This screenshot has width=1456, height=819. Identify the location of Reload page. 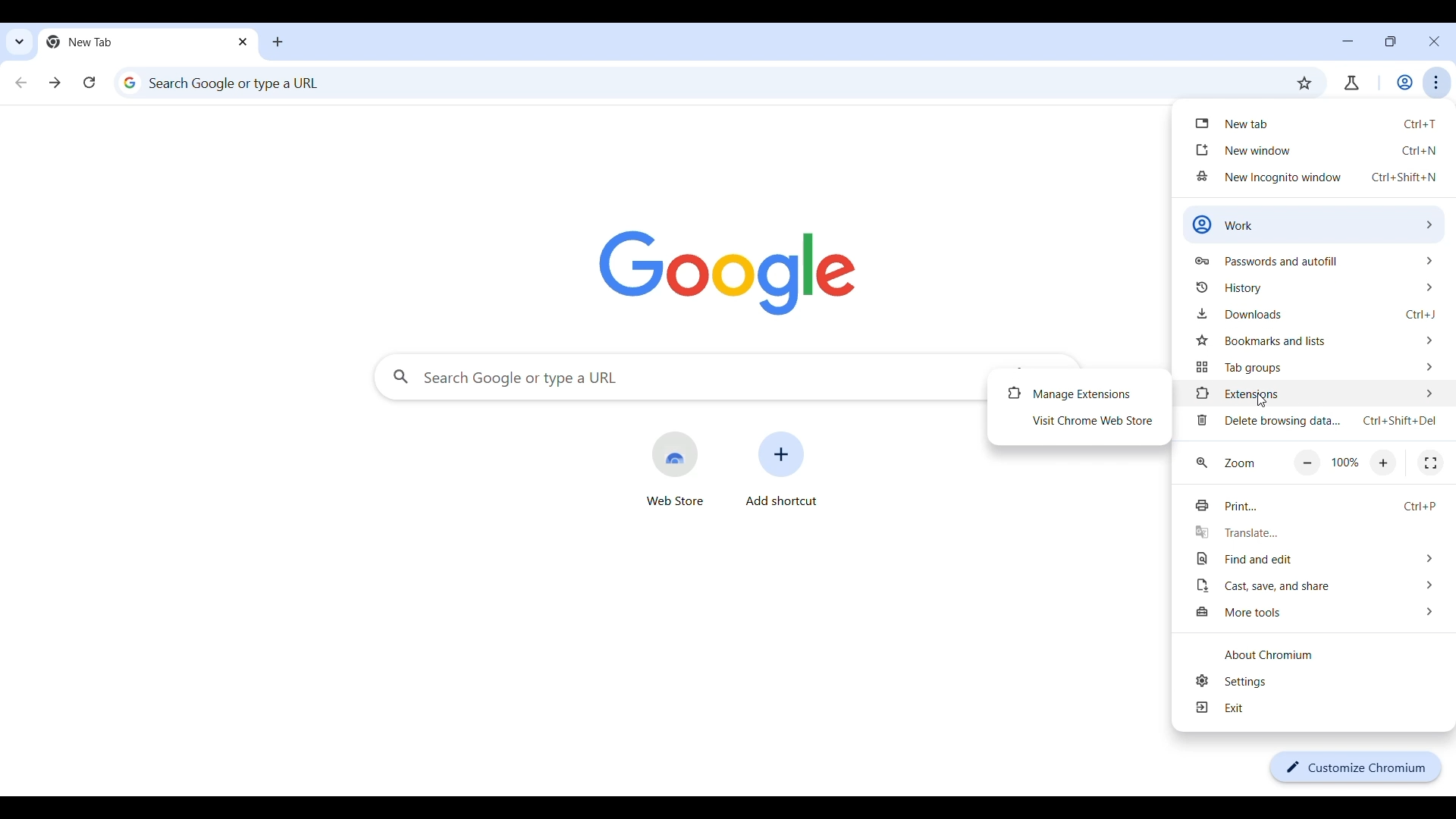
(89, 82).